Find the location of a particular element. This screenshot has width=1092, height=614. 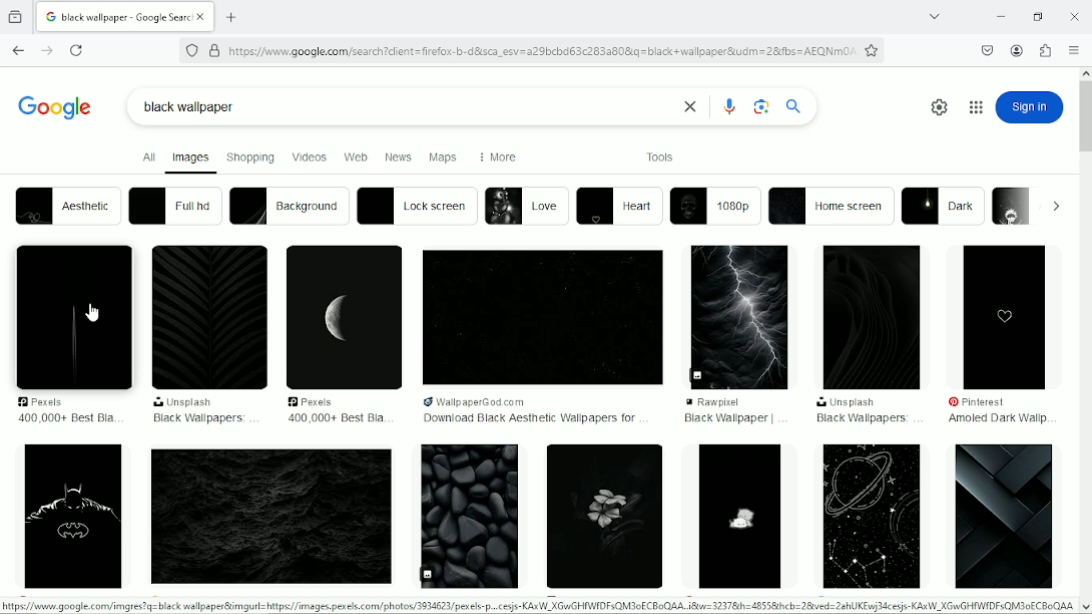

black wallpaper image is located at coordinates (468, 517).